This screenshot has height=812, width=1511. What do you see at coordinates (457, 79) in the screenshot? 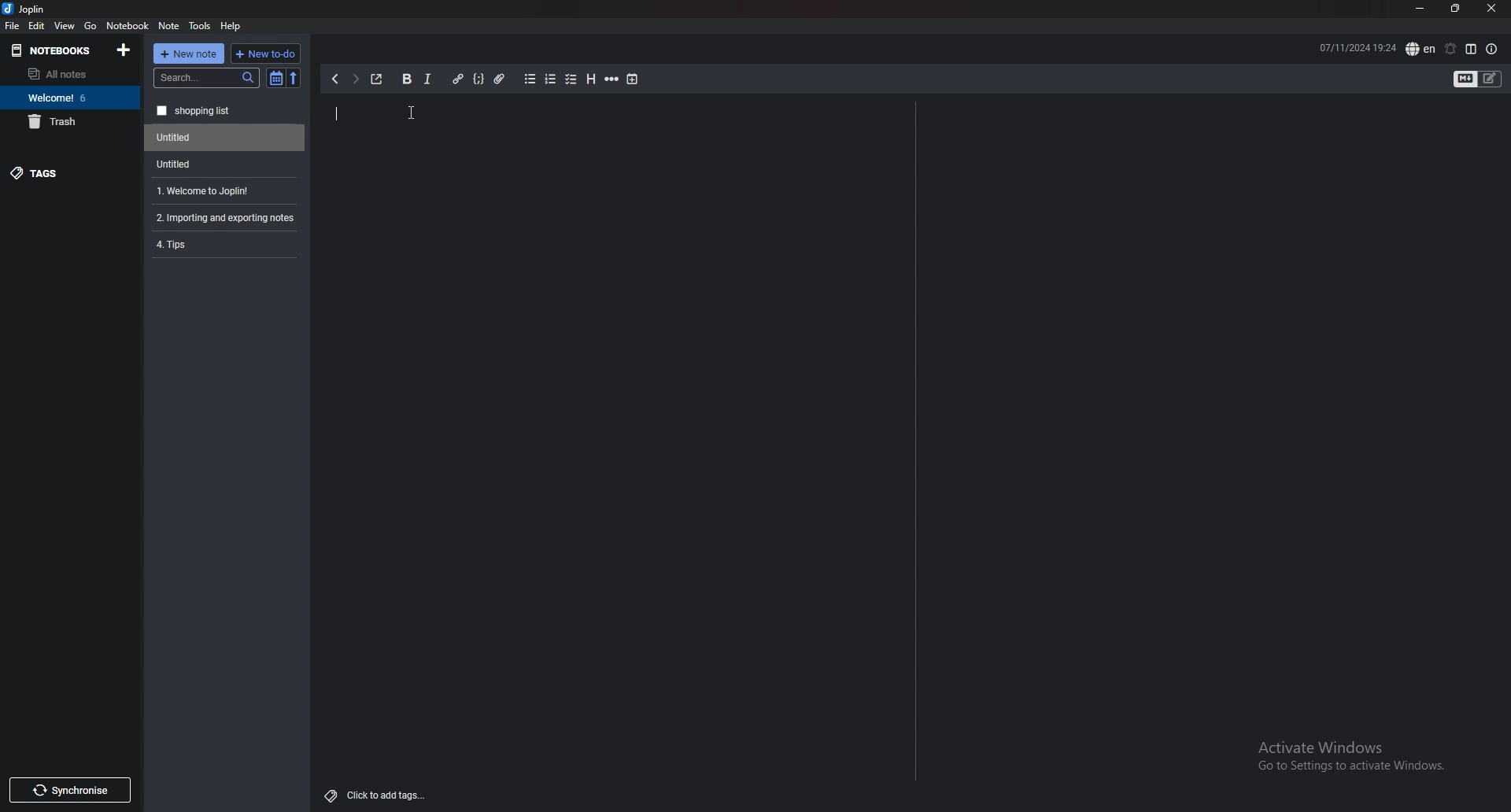
I see `hyperlink` at bounding box center [457, 79].